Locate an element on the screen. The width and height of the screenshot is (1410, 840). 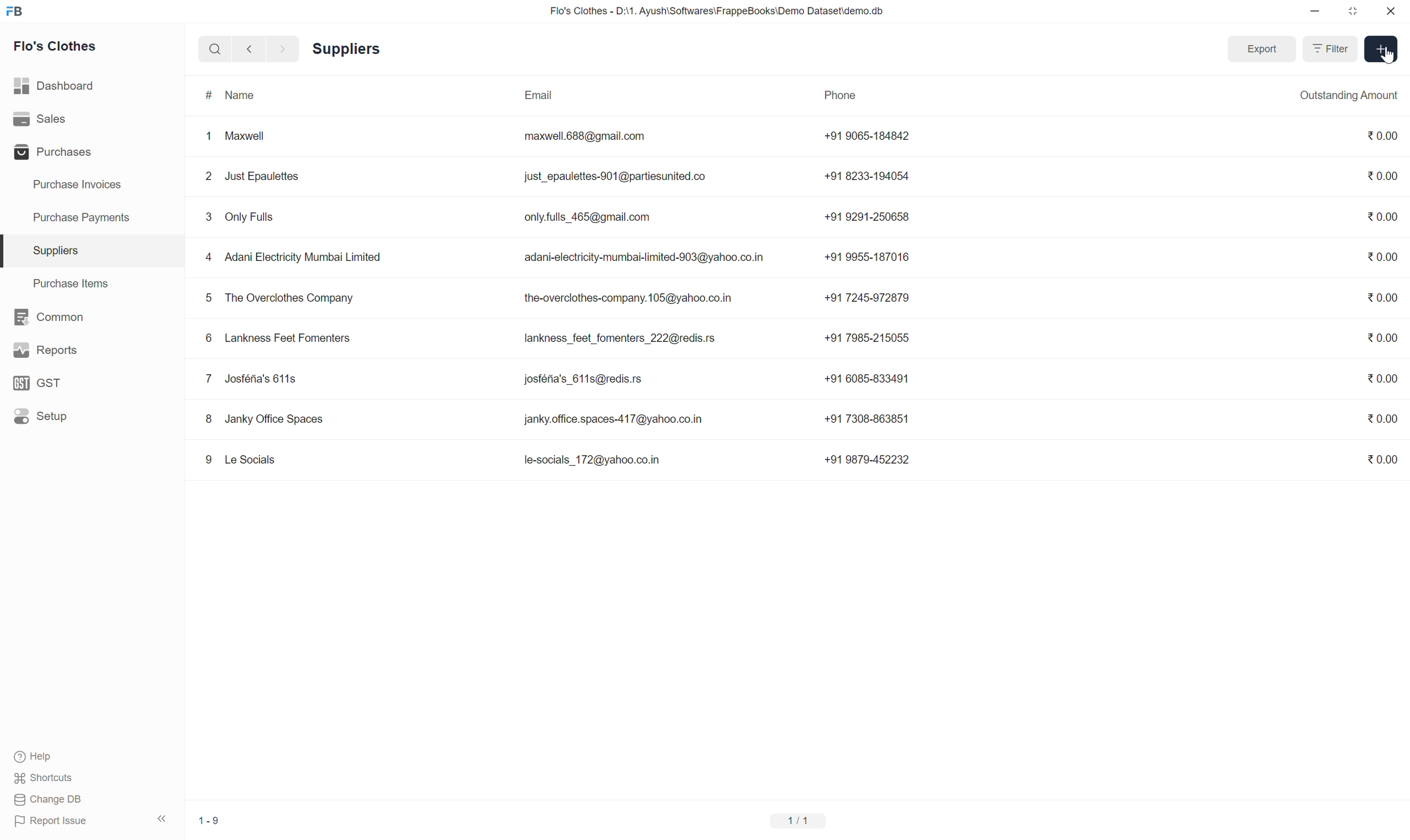
le-socials_172@yahoo.co.in is located at coordinates (594, 460).